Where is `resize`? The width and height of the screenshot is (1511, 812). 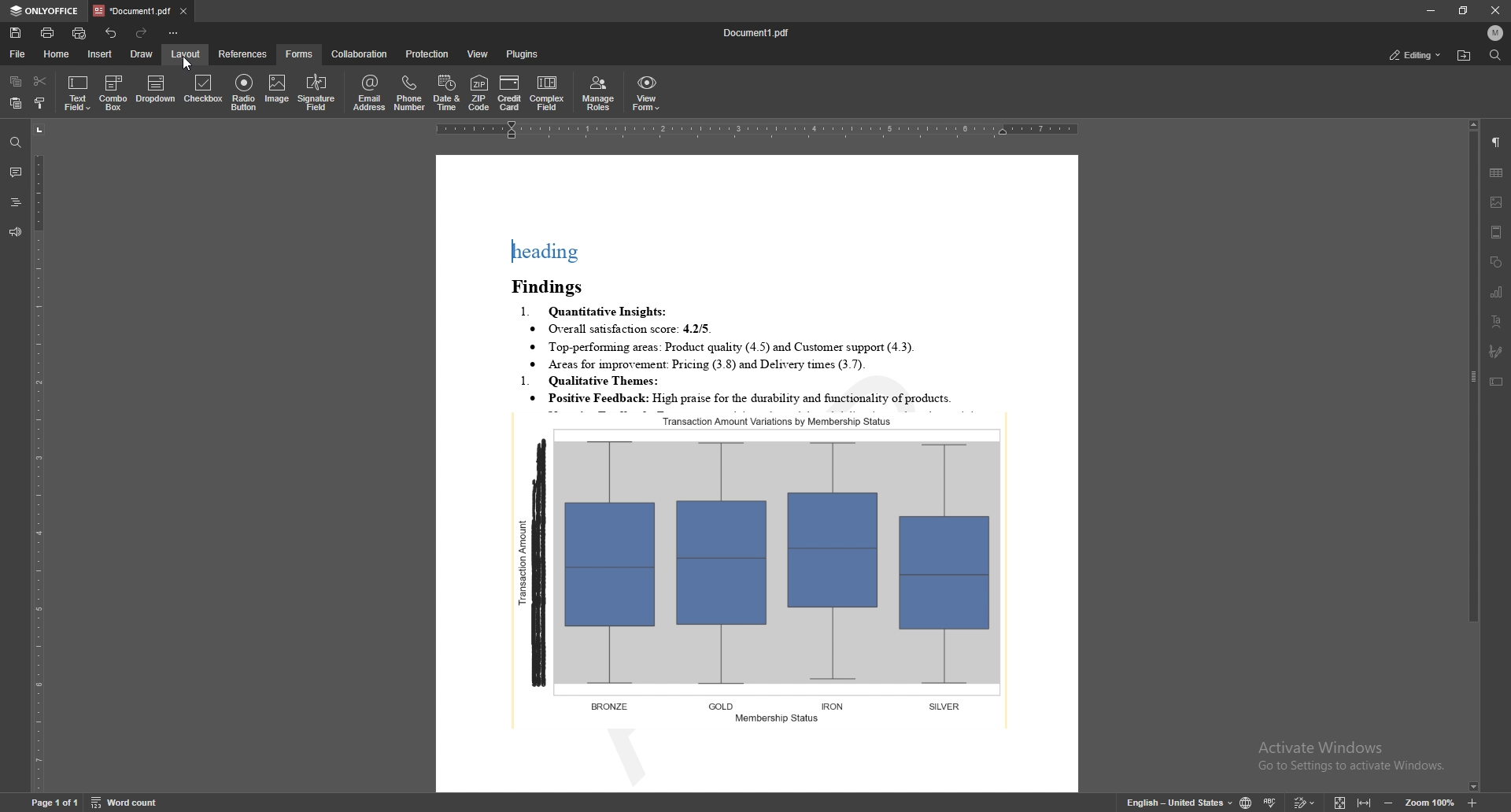 resize is located at coordinates (1463, 11).